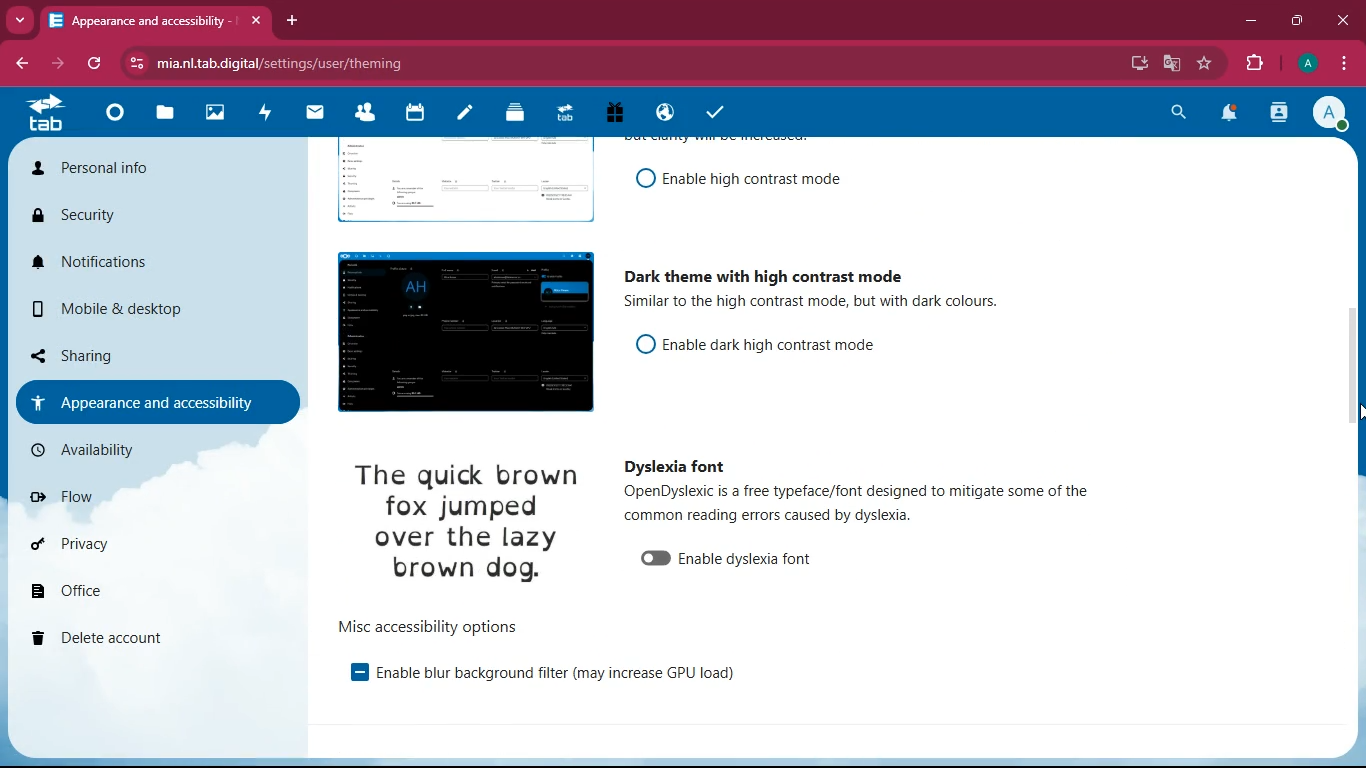 This screenshot has height=768, width=1366. What do you see at coordinates (640, 179) in the screenshot?
I see `on/off` at bounding box center [640, 179].